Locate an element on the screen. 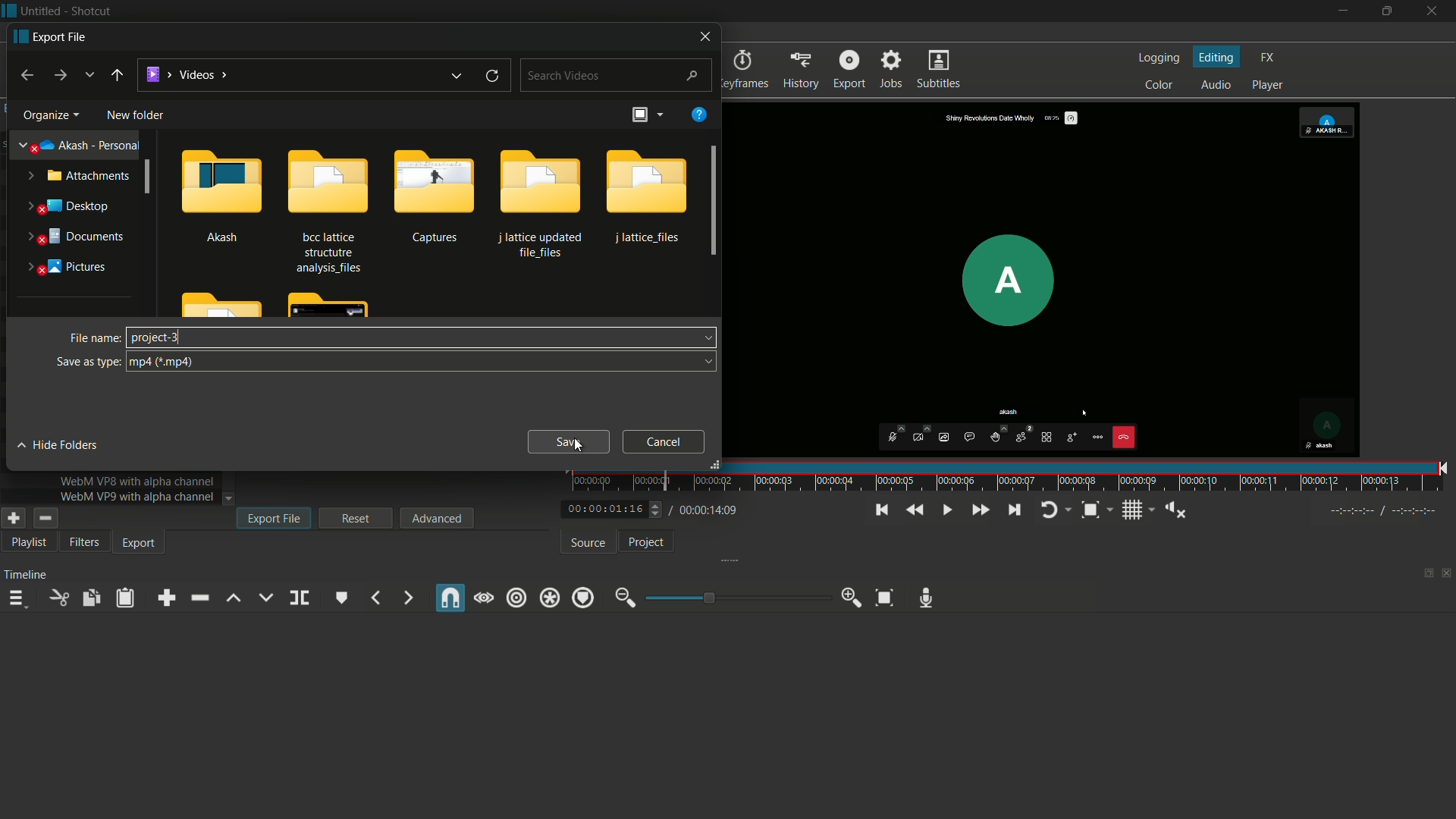 This screenshot has width=1456, height=819. editing is located at coordinates (1216, 58).